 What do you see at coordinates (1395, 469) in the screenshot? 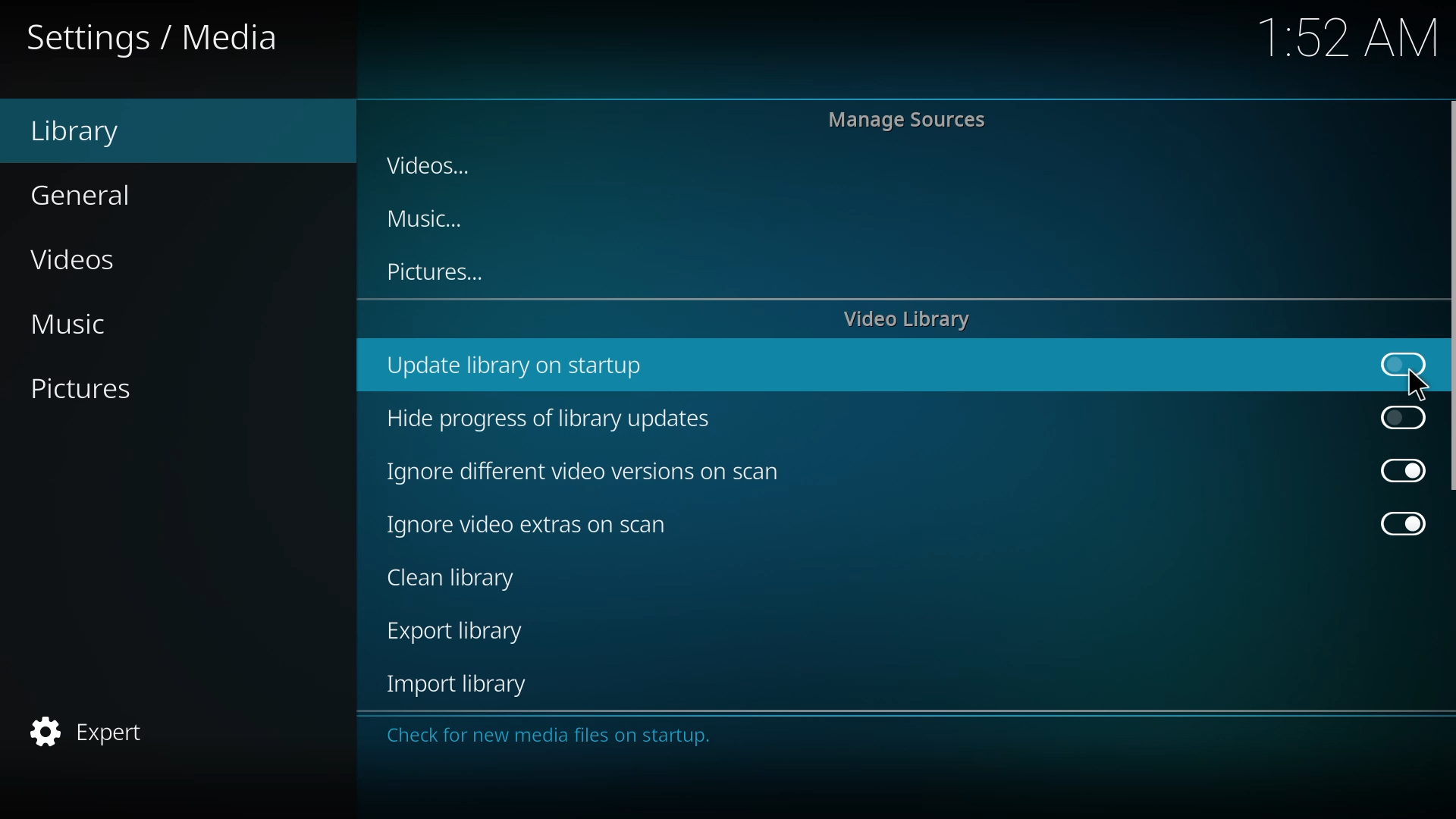
I see `enabled` at bounding box center [1395, 469].